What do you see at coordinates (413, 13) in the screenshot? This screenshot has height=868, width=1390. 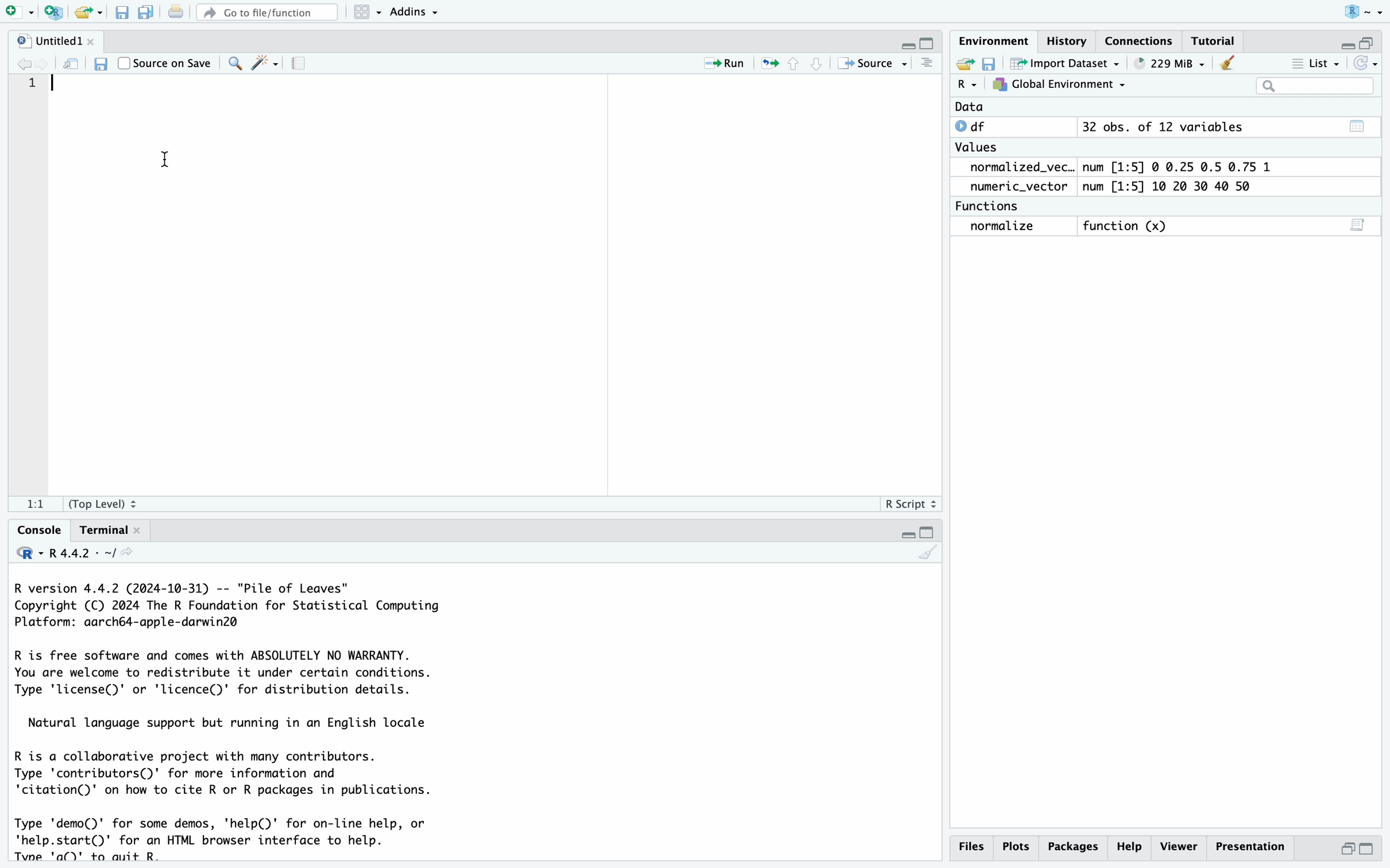 I see `Addins` at bounding box center [413, 13].